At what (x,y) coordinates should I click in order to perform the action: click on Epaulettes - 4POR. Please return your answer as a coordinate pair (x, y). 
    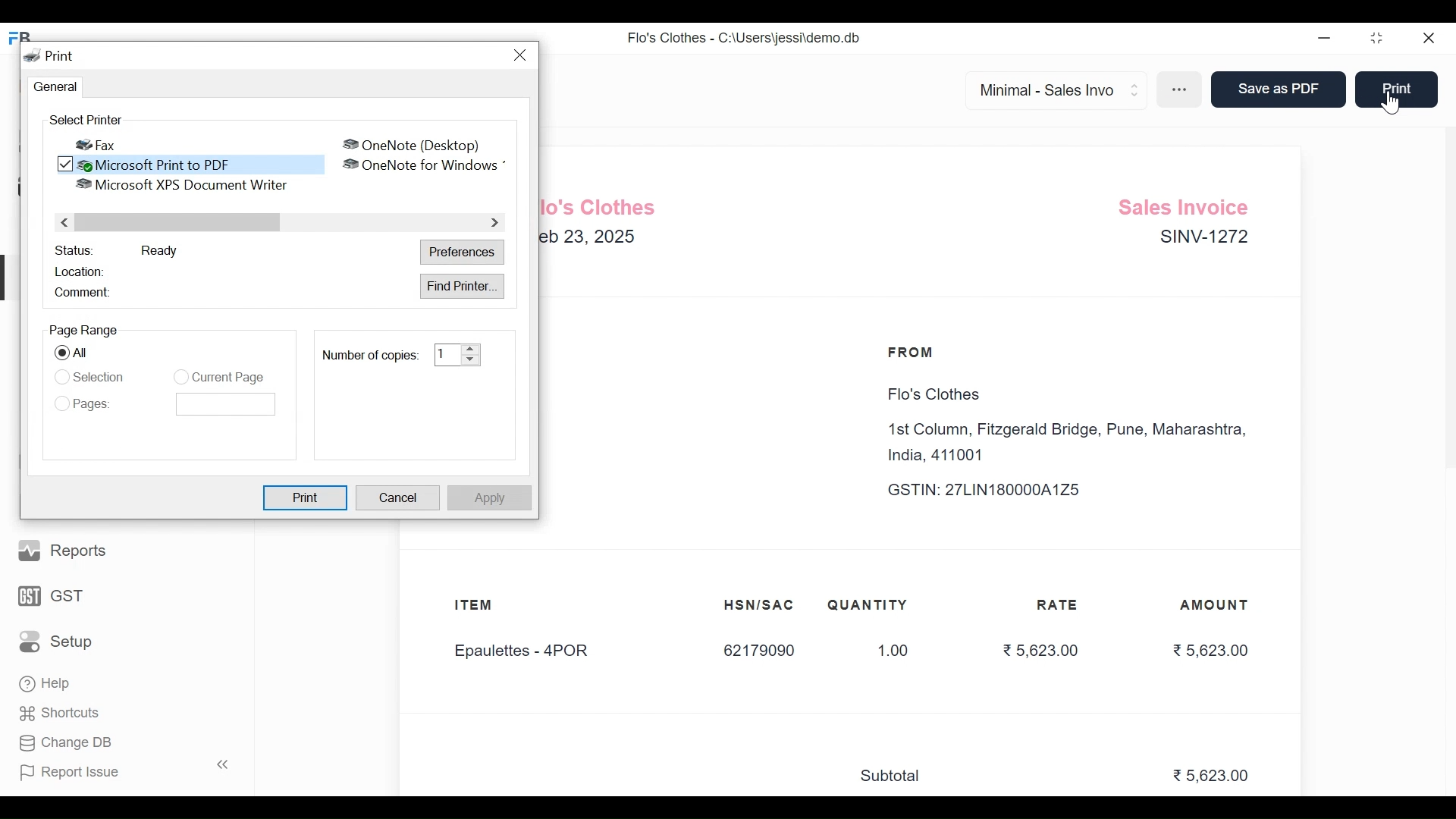
    Looking at the image, I should click on (530, 652).